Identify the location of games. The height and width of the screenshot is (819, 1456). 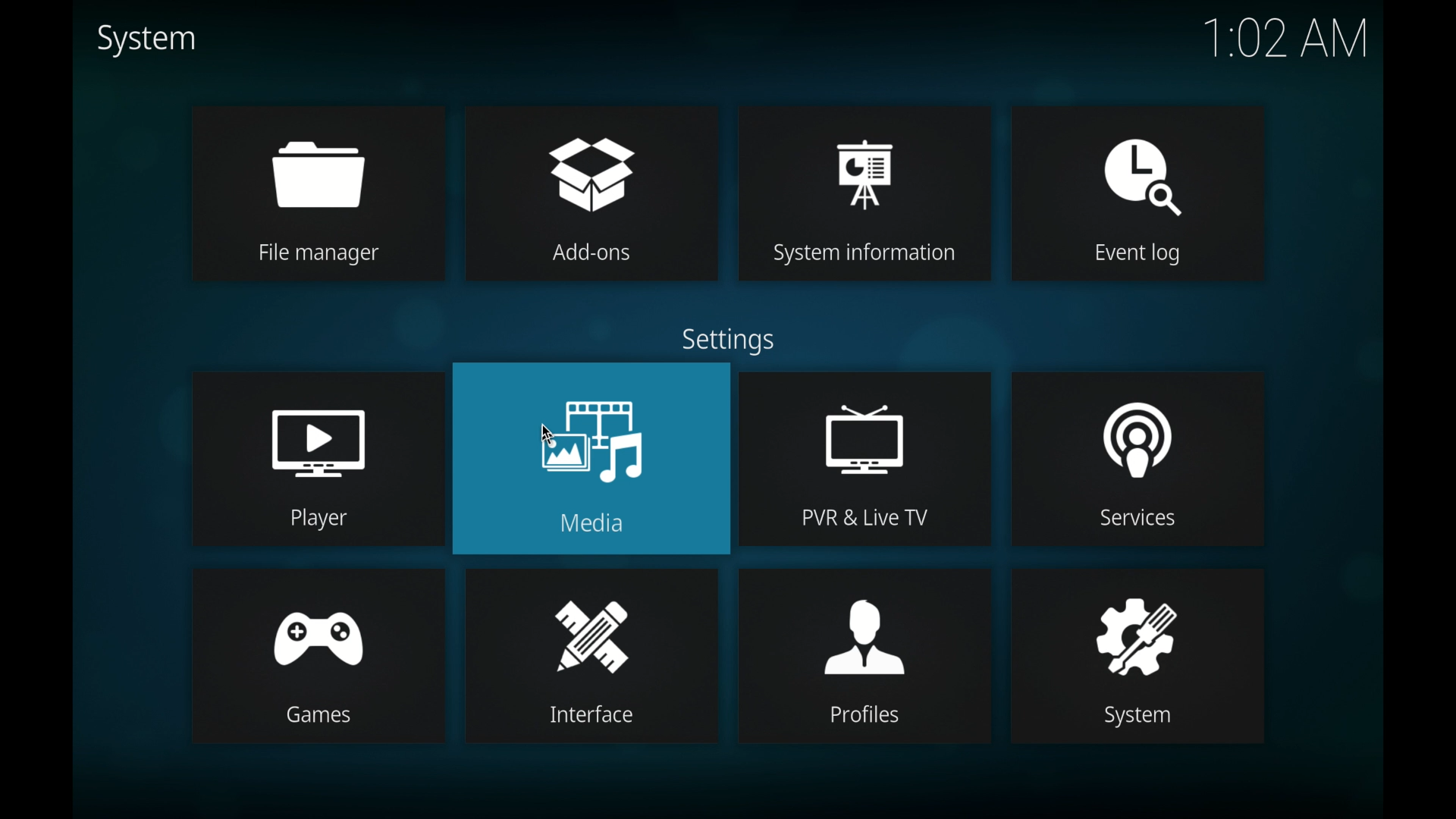
(315, 621).